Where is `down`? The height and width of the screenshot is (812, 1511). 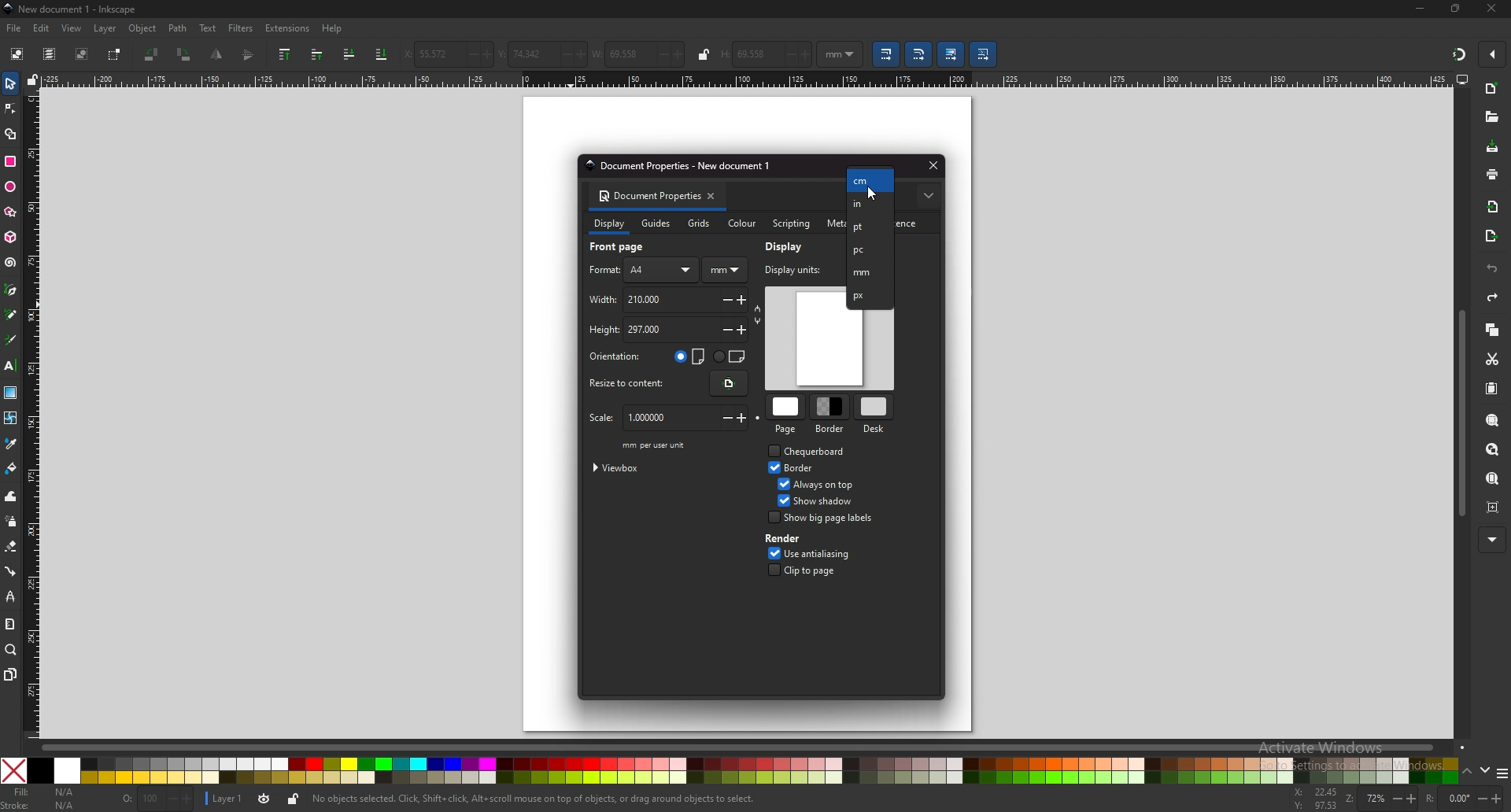 down is located at coordinates (1484, 771).